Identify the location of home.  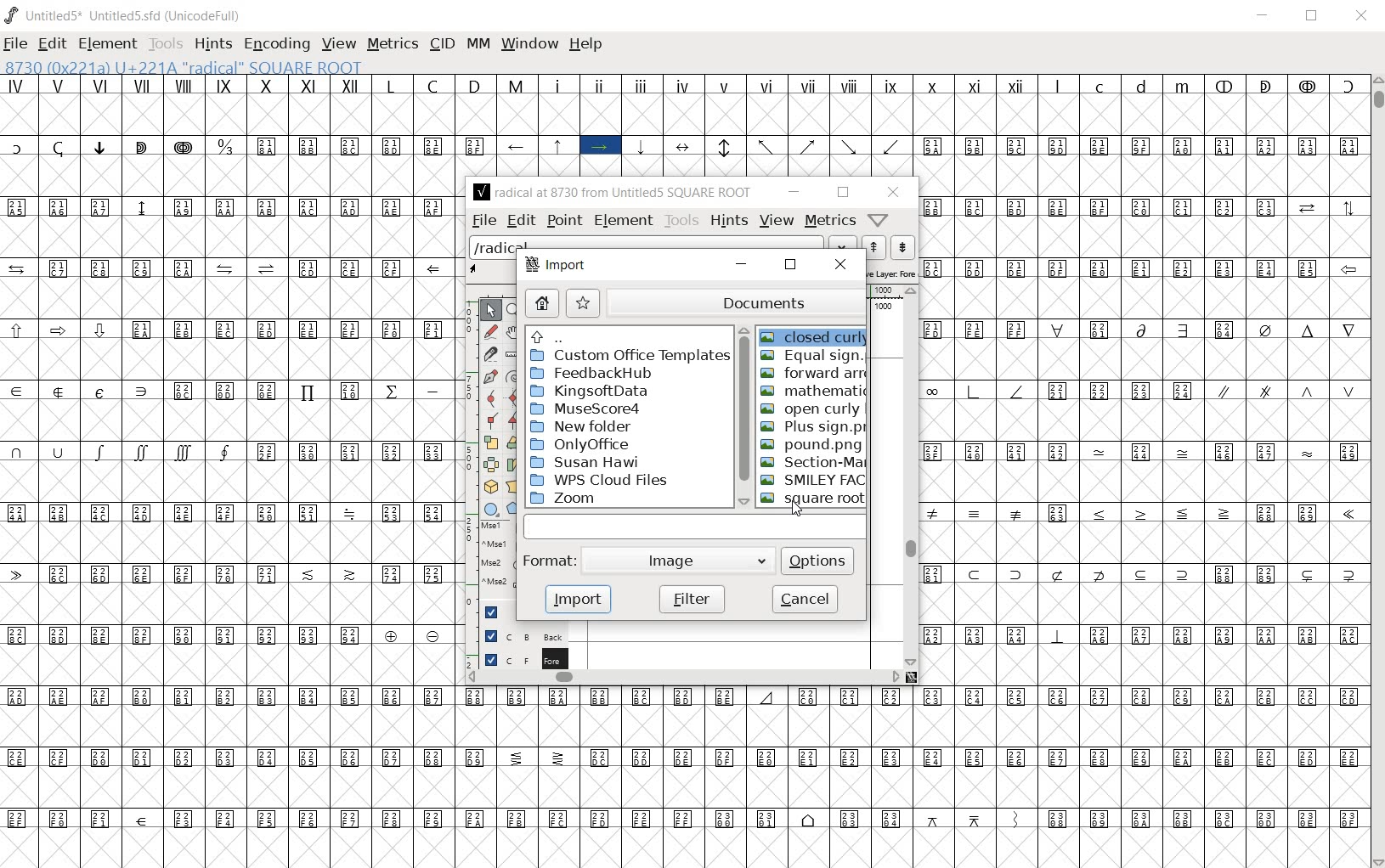
(540, 304).